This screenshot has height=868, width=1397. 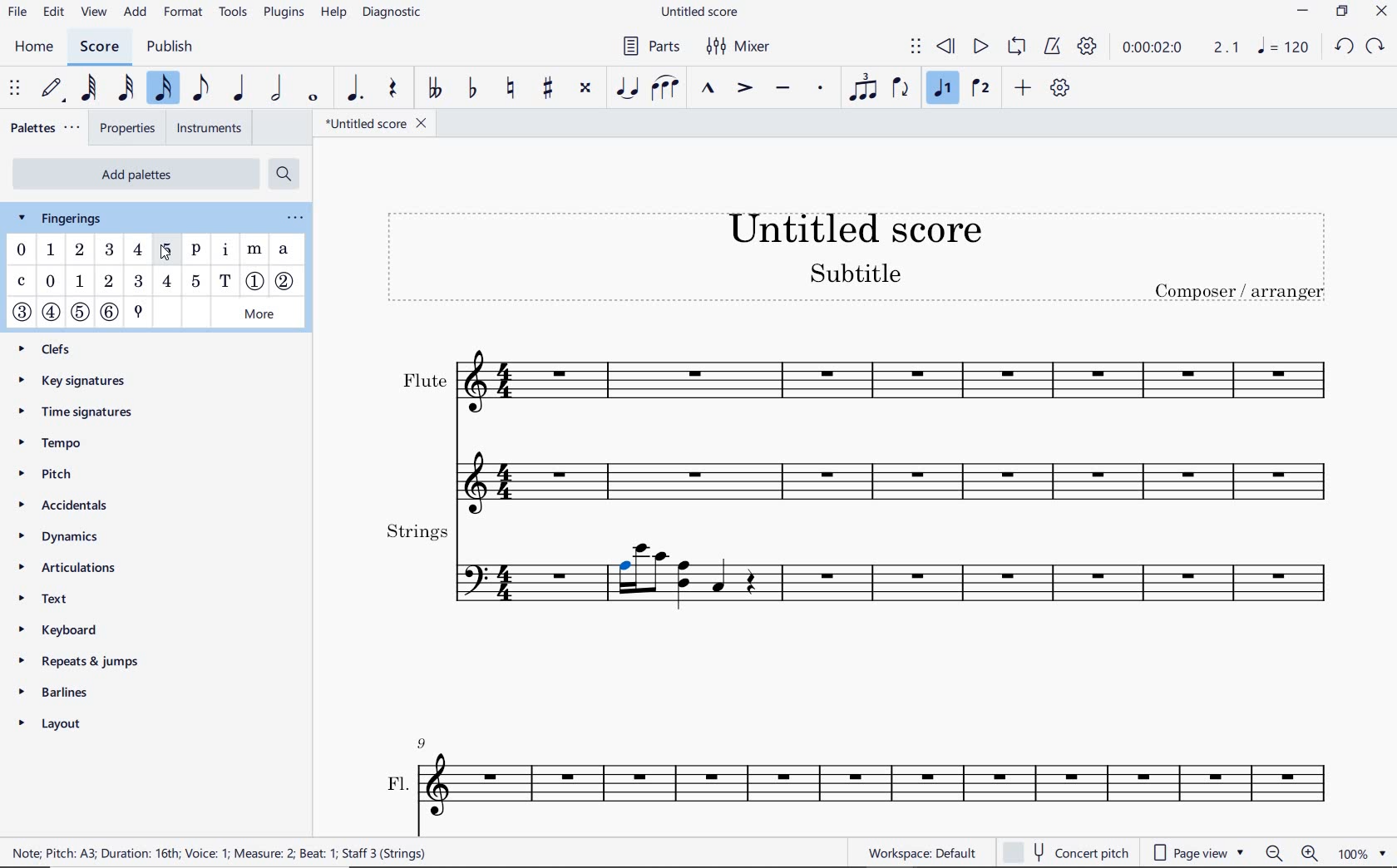 I want to click on file, so click(x=17, y=13).